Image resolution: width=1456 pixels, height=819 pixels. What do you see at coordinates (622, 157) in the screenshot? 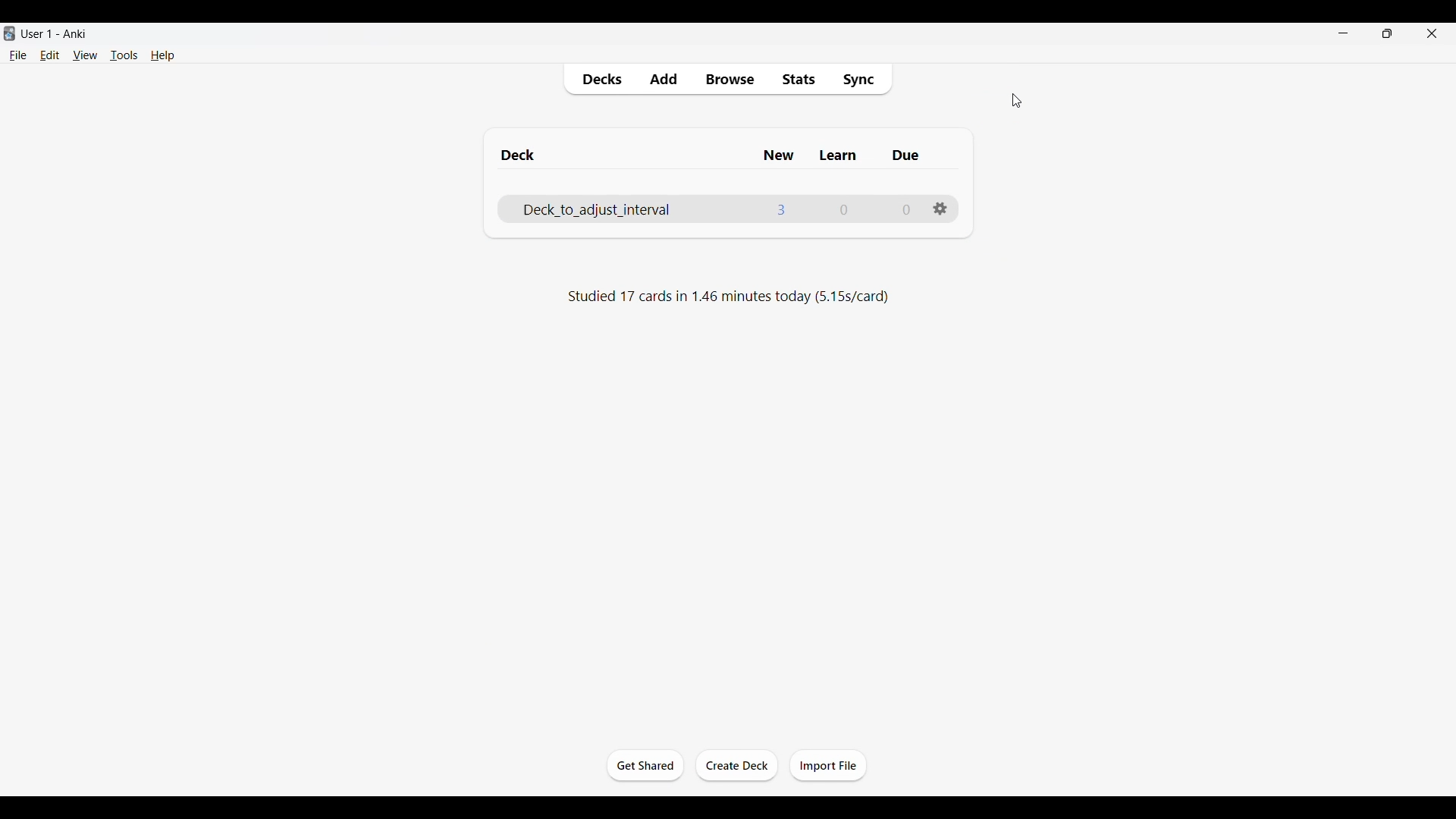
I see `Deck column` at bounding box center [622, 157].